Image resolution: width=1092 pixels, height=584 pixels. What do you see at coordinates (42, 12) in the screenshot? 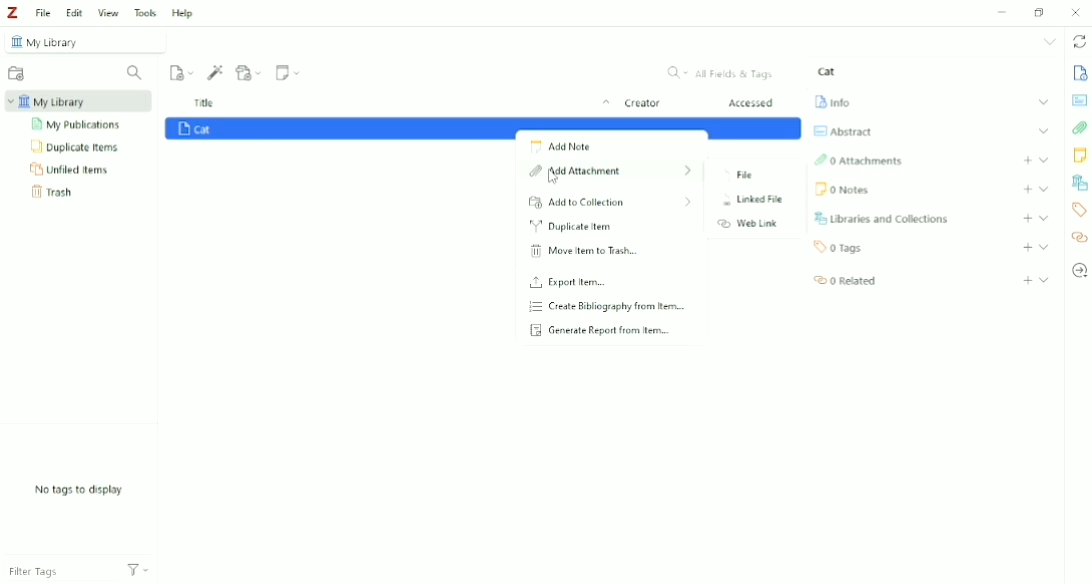
I see `File` at bounding box center [42, 12].